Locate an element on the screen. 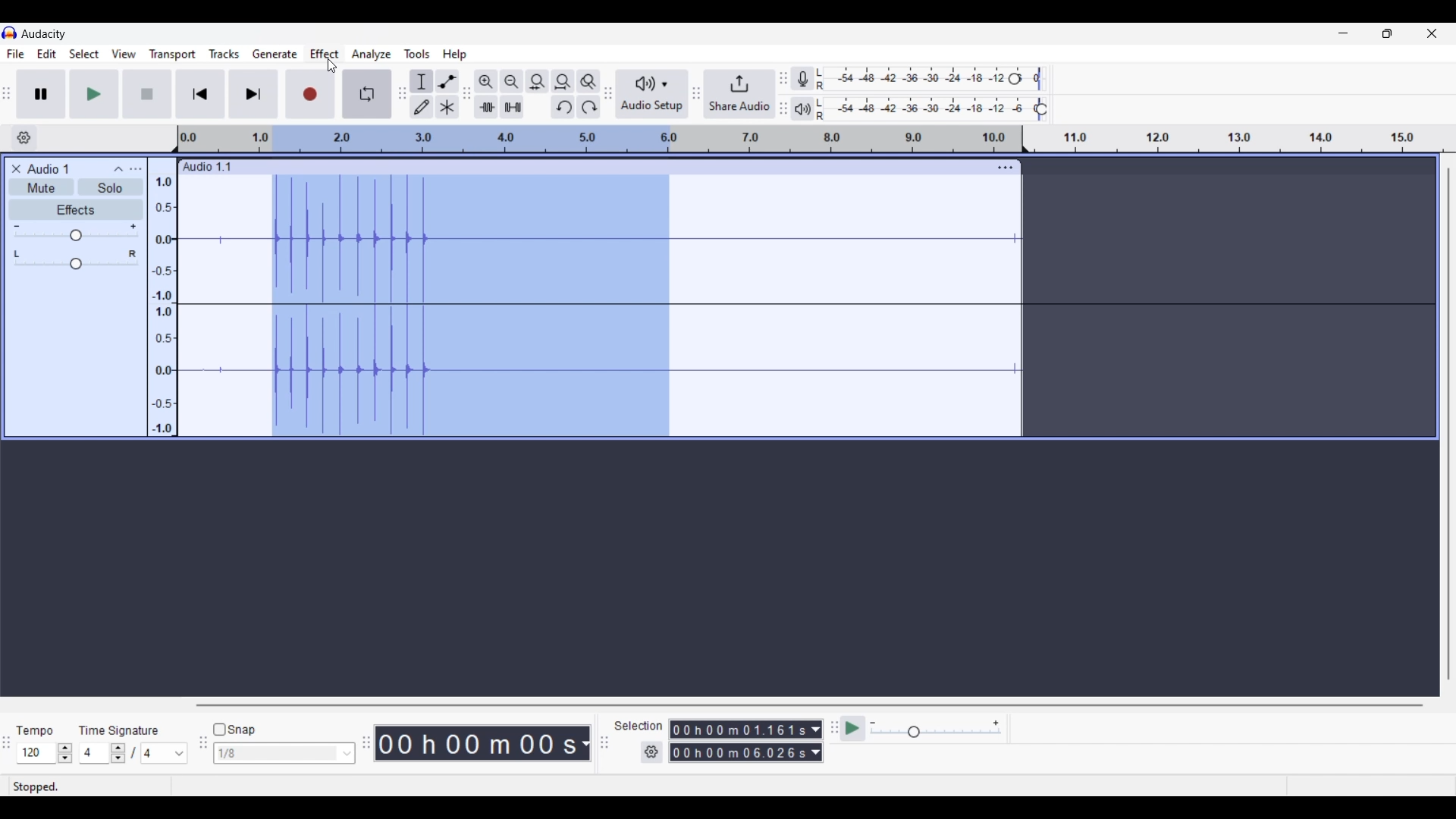  Type in time signature is located at coordinates (94, 753).